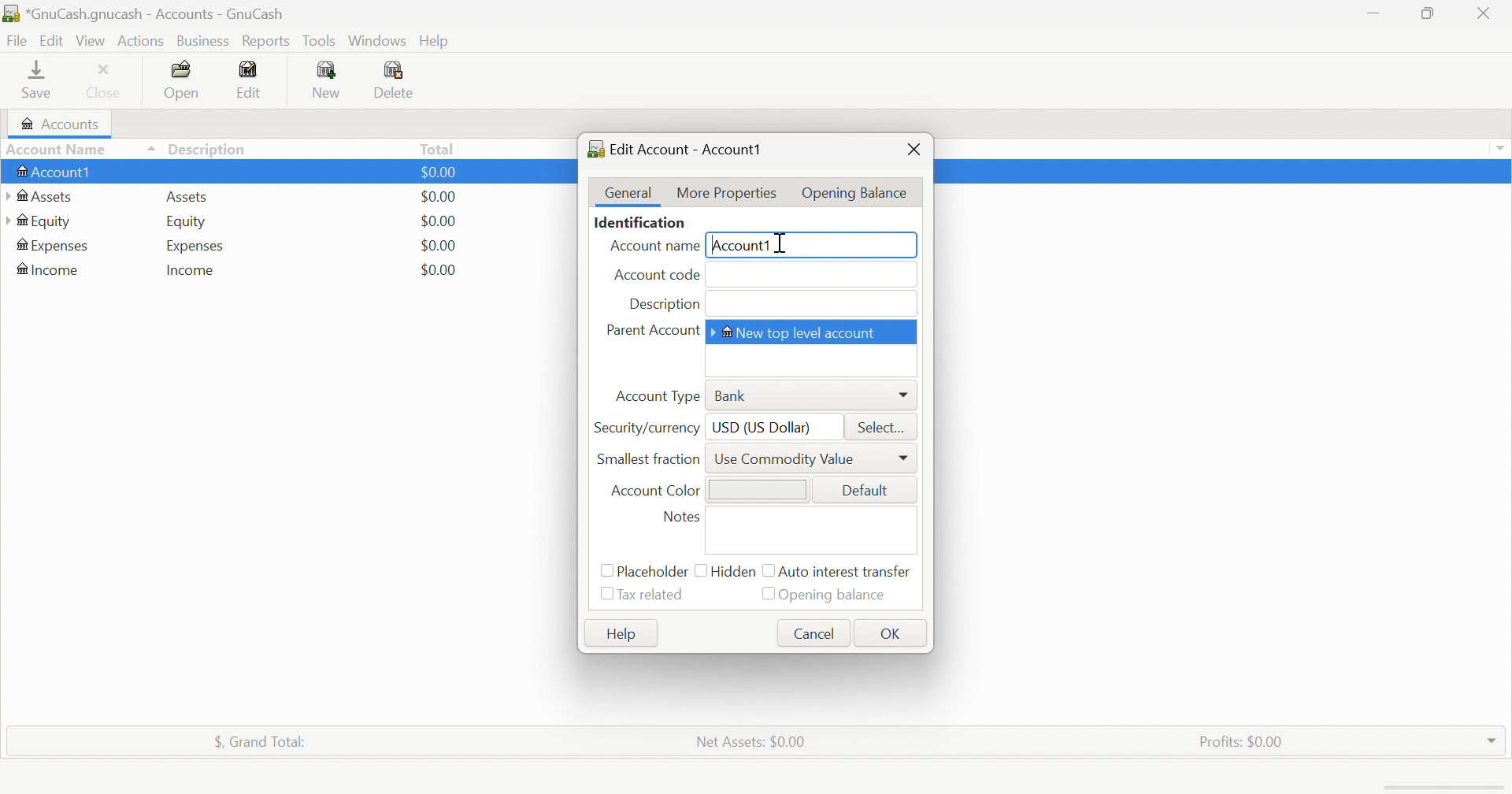 This screenshot has width=1512, height=794. Describe the element at coordinates (624, 636) in the screenshot. I see `Help` at that location.